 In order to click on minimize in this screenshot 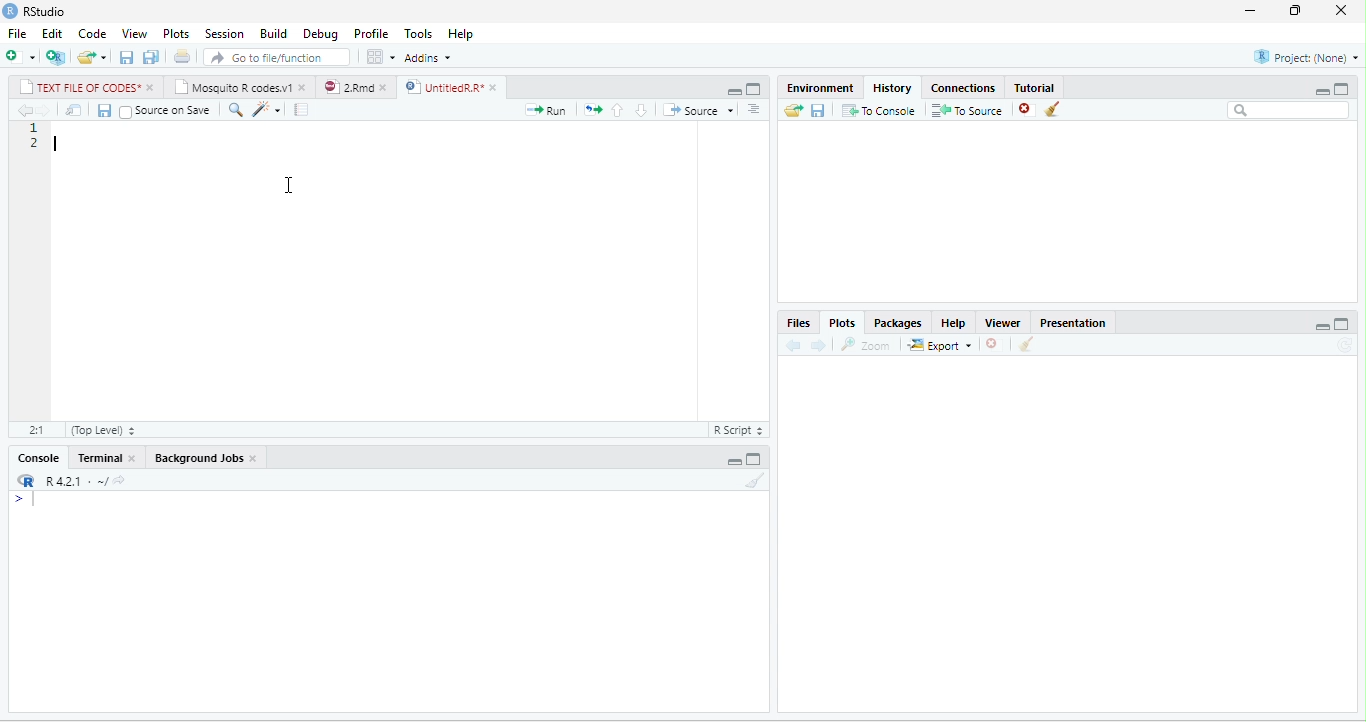, I will do `click(734, 461)`.